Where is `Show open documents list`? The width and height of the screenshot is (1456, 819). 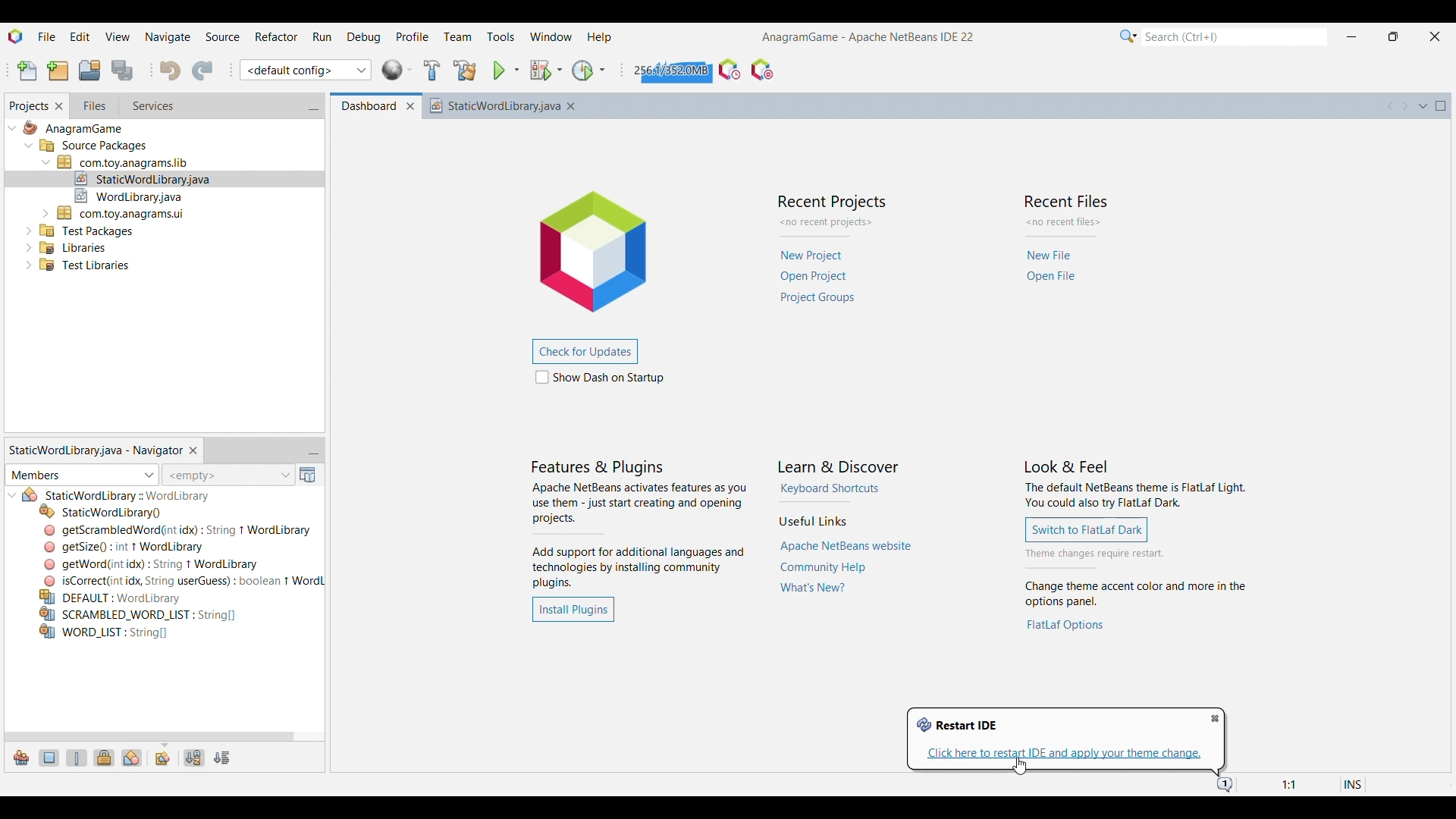
Show open documents list is located at coordinates (1423, 106).